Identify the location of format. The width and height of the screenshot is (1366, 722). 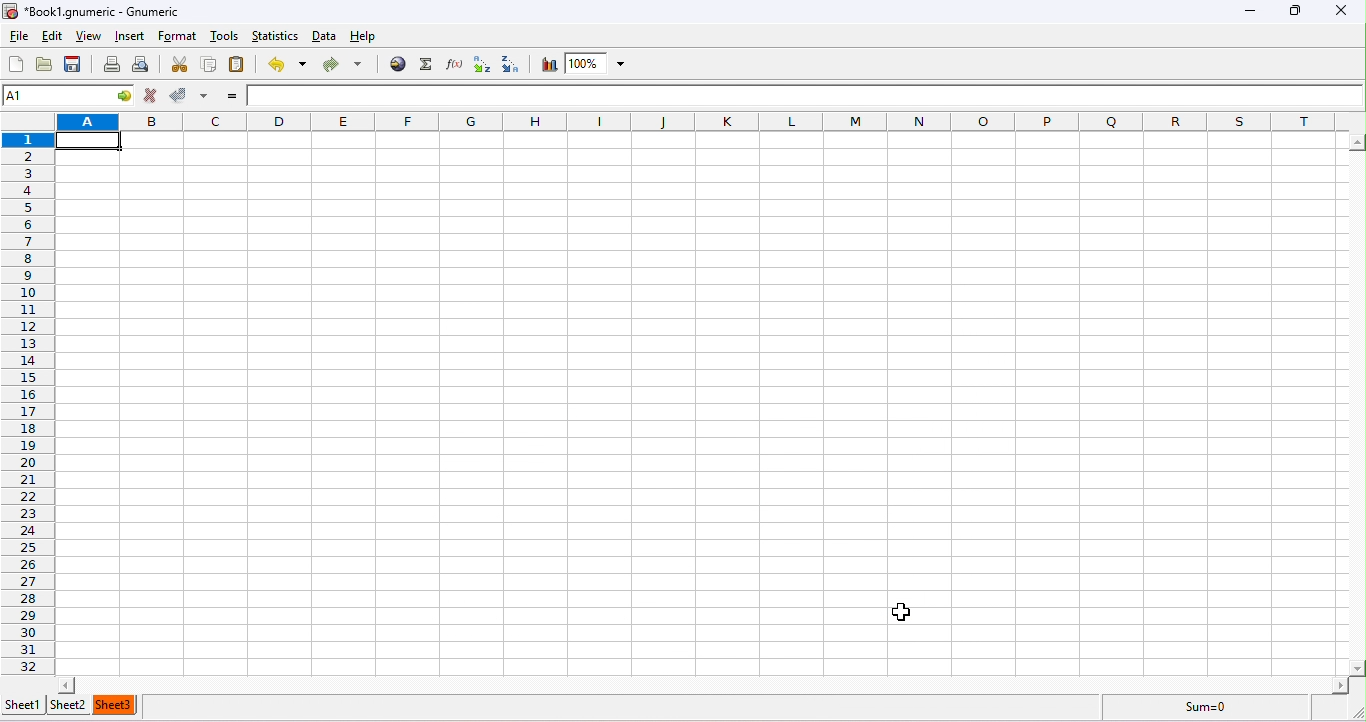
(178, 36).